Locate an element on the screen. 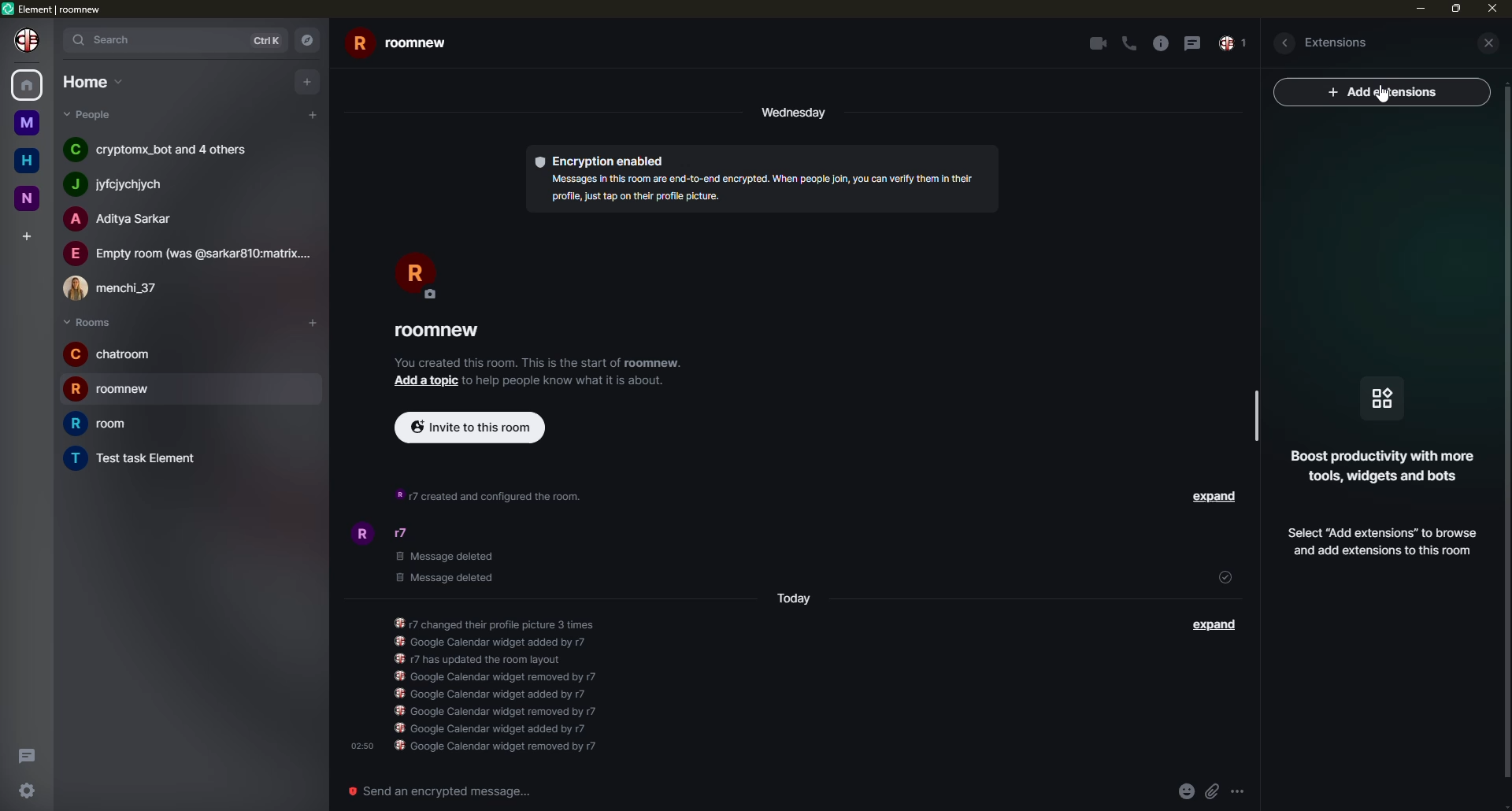 The height and width of the screenshot is (811, 1512). add is located at coordinates (308, 81).